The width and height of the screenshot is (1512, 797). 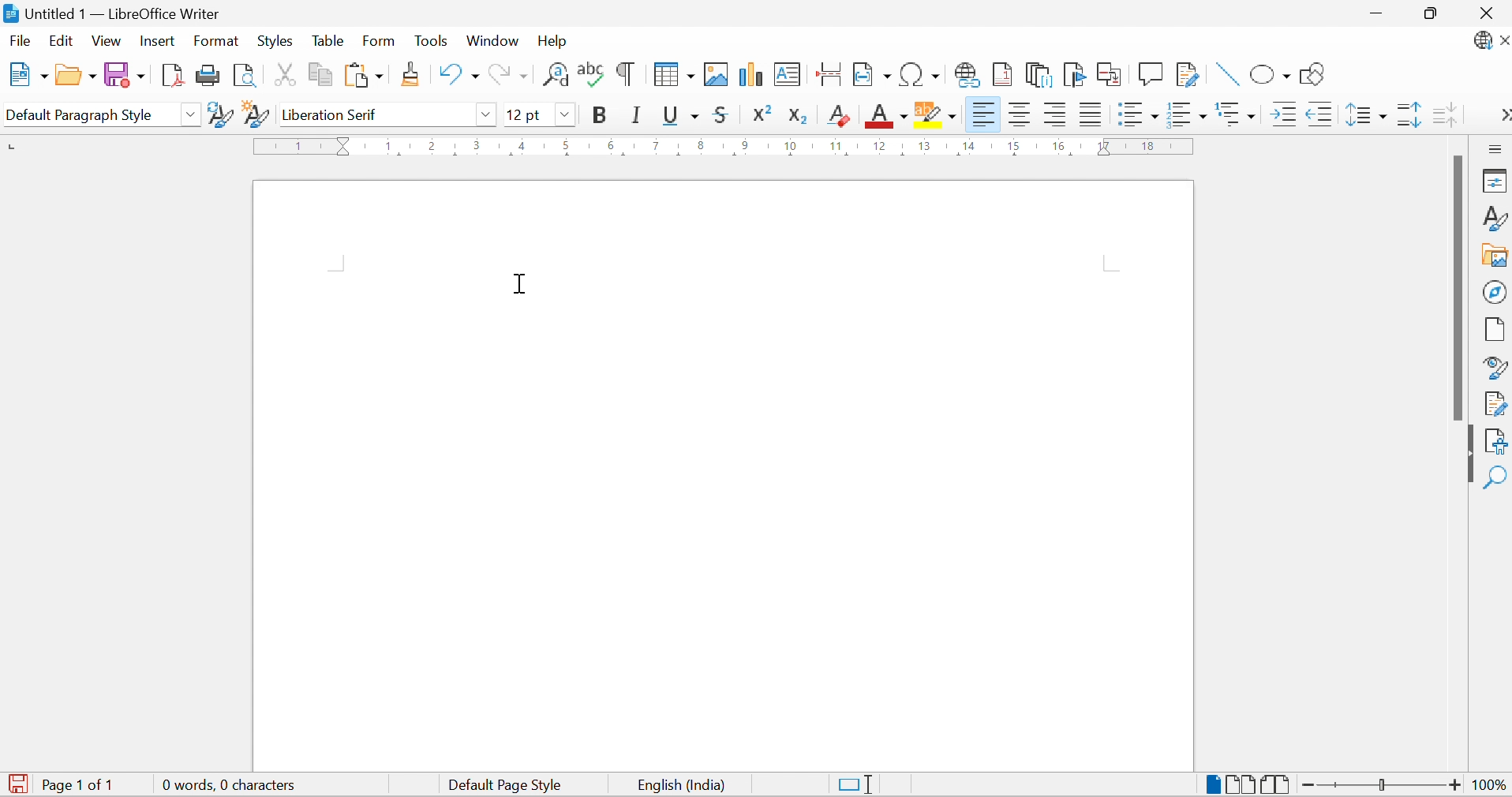 I want to click on Insert Text Box, so click(x=788, y=73).